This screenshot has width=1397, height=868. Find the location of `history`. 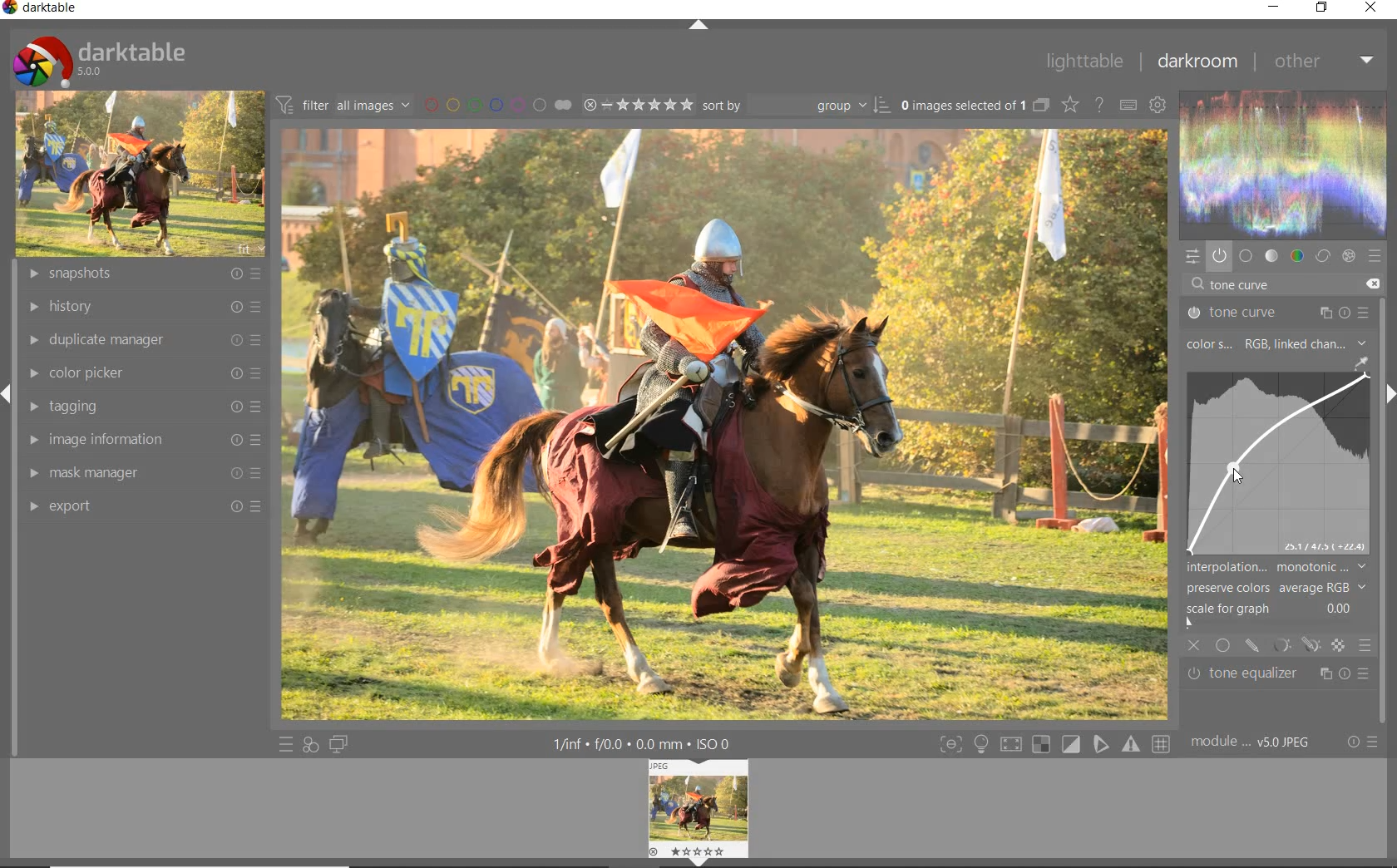

history is located at coordinates (142, 308).